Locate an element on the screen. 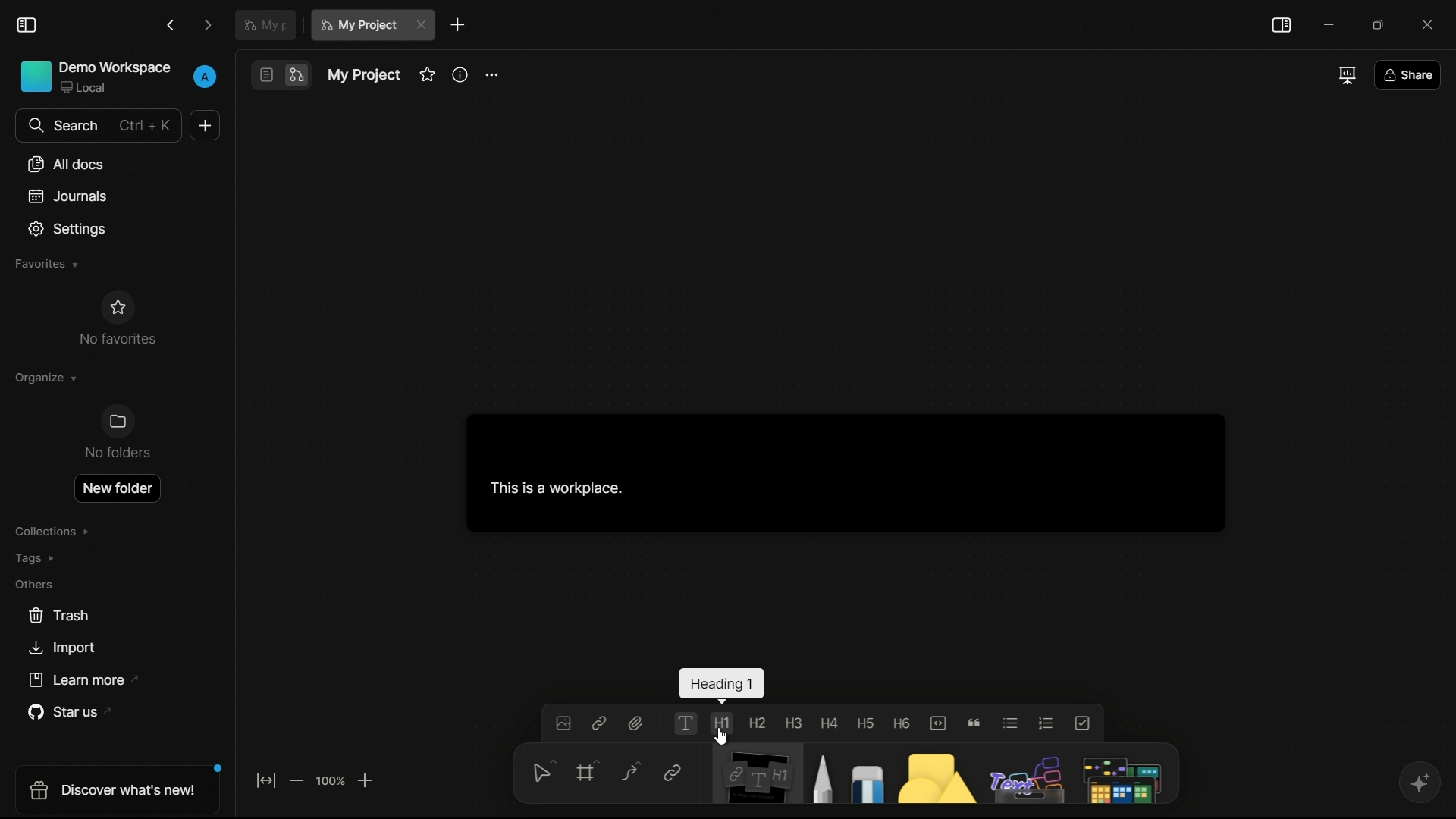  new document is located at coordinates (202, 125).